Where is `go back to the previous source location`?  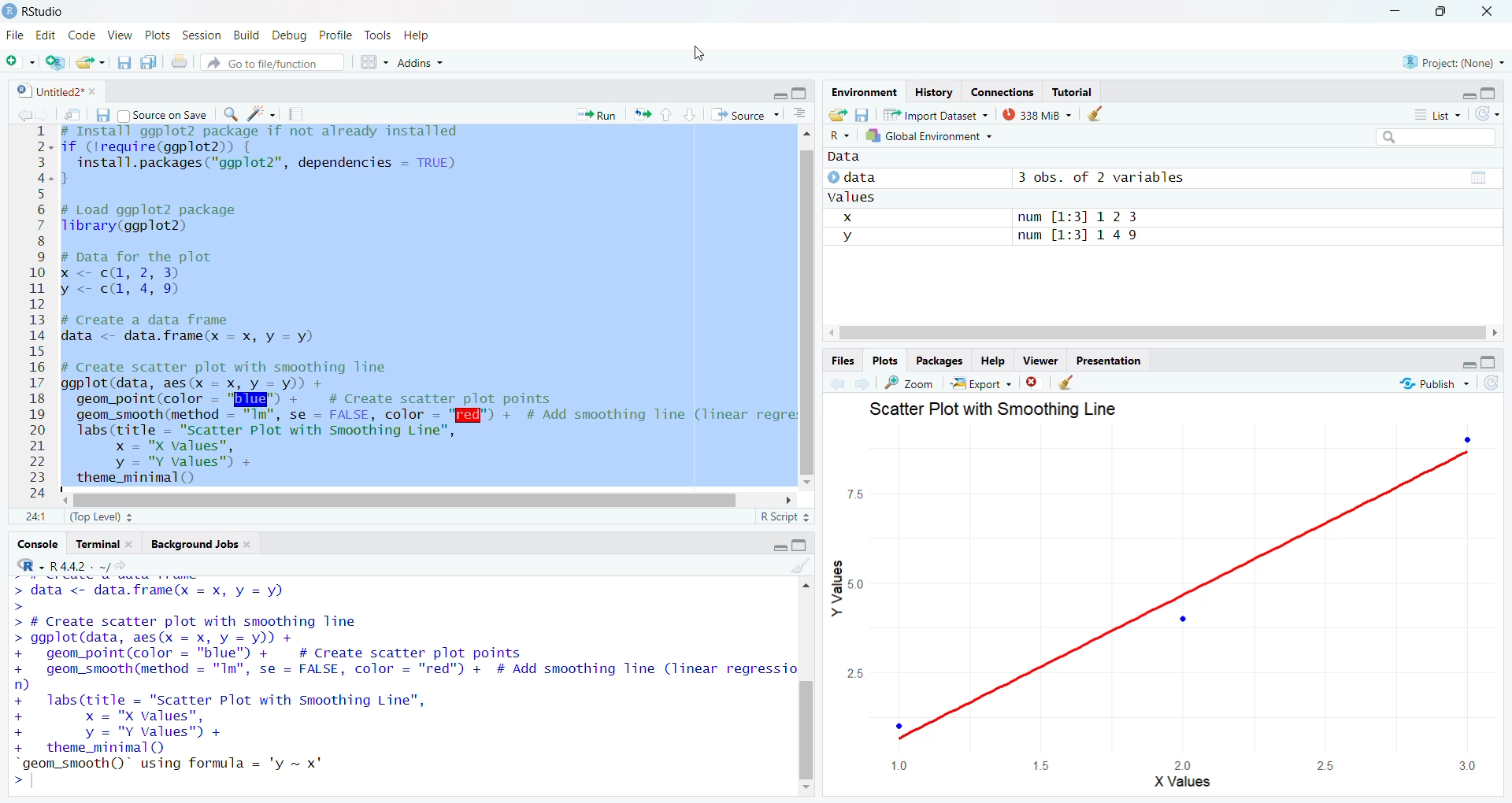 go back to the previous source location is located at coordinates (25, 113).